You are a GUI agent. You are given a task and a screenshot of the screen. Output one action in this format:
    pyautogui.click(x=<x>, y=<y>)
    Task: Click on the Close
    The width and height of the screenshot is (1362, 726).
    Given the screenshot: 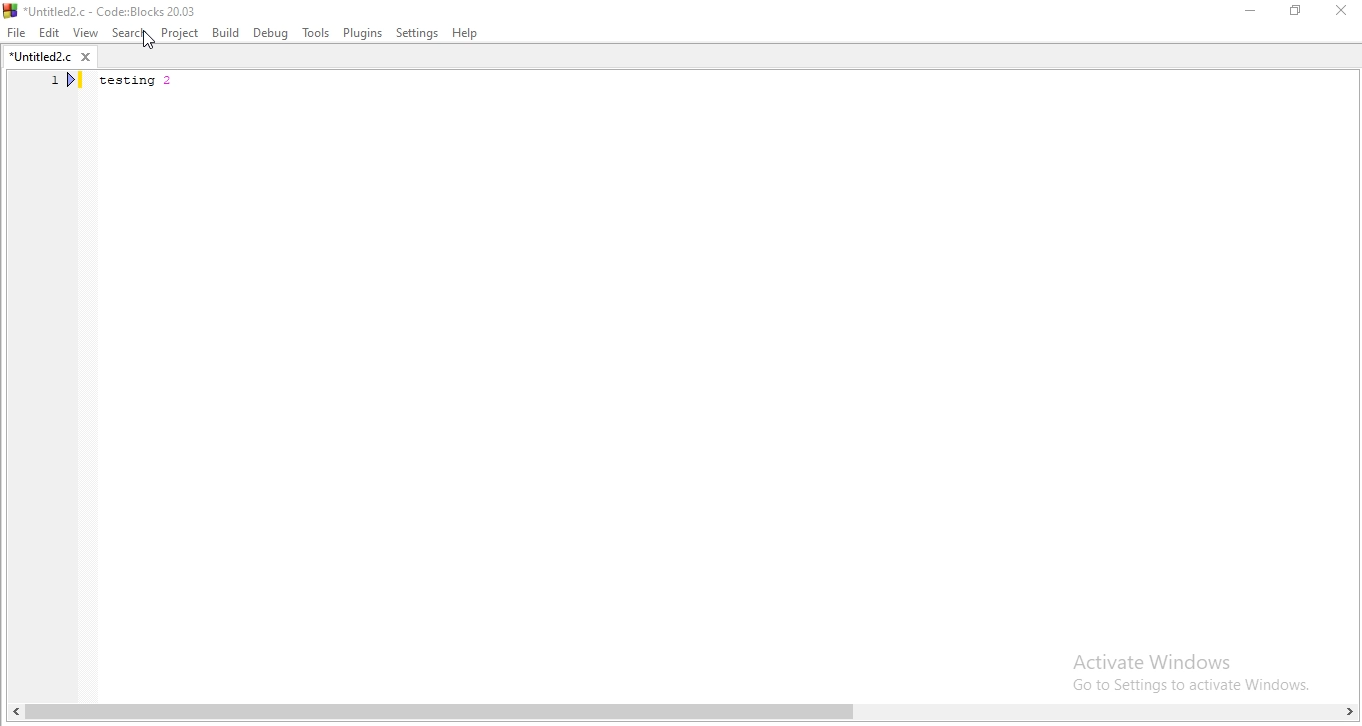 What is the action you would take?
    pyautogui.click(x=1343, y=12)
    